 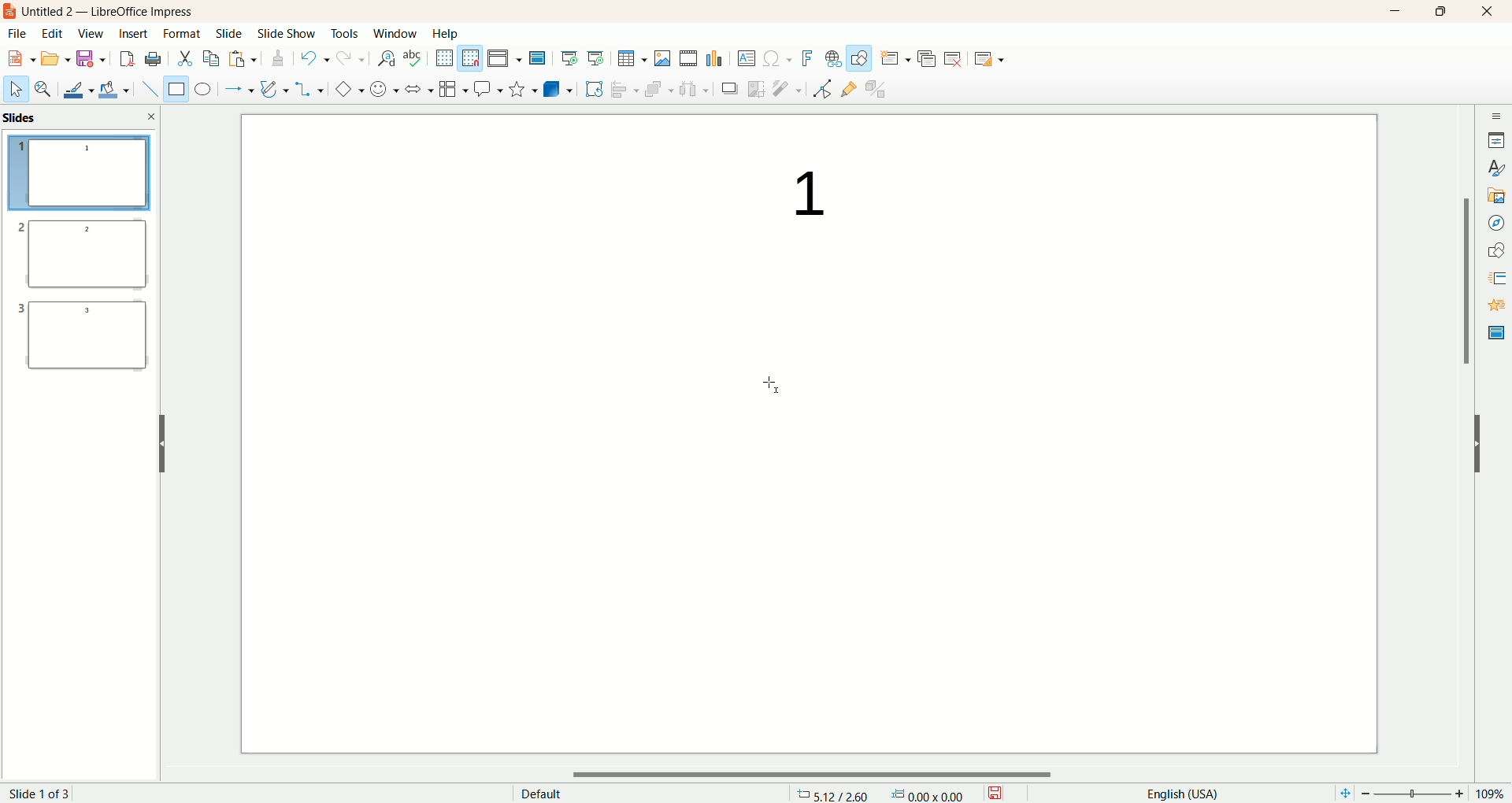 What do you see at coordinates (152, 116) in the screenshot?
I see `close` at bounding box center [152, 116].